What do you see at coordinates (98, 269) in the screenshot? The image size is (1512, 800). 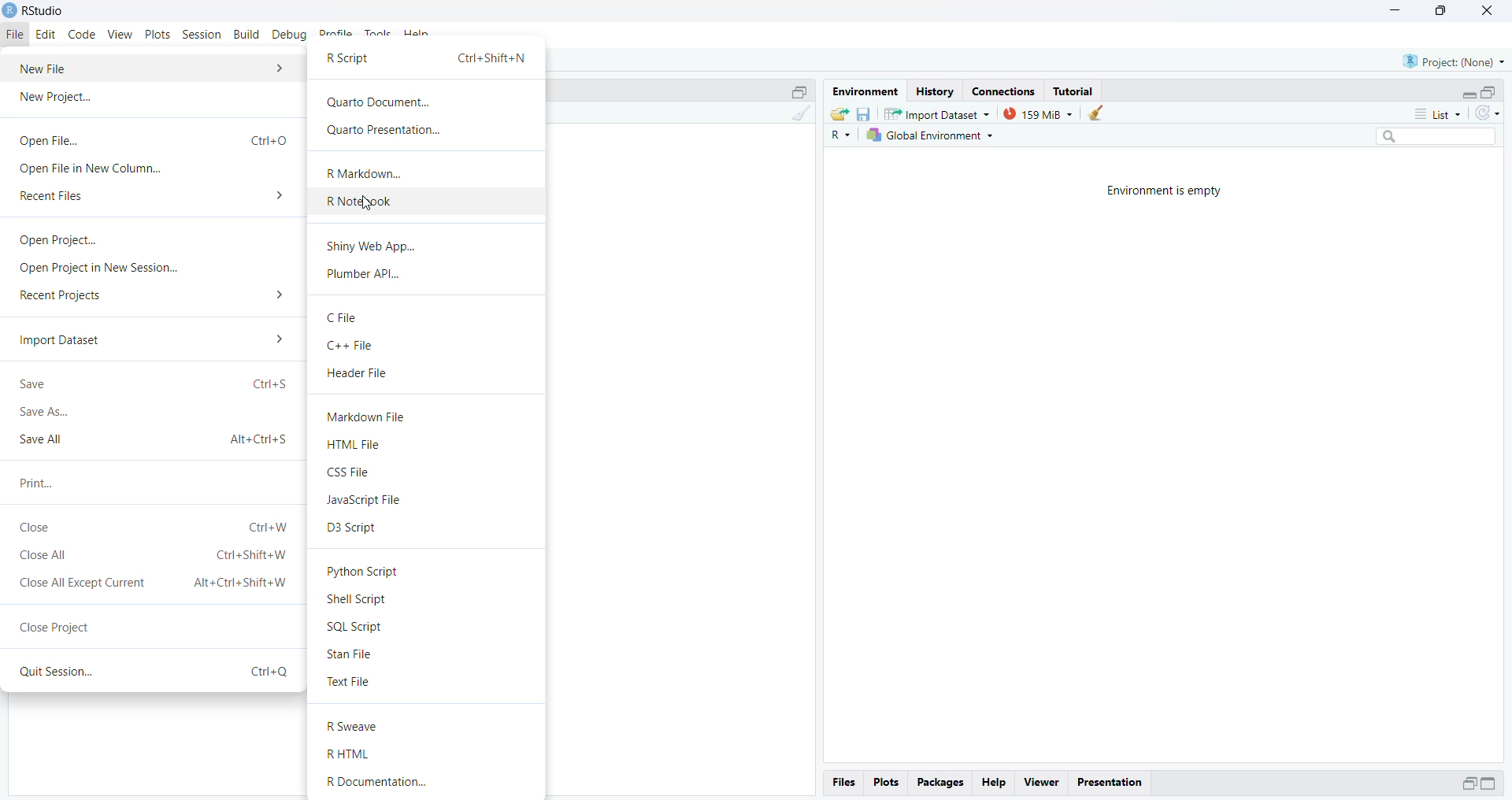 I see `Open Project in New Session...` at bounding box center [98, 269].